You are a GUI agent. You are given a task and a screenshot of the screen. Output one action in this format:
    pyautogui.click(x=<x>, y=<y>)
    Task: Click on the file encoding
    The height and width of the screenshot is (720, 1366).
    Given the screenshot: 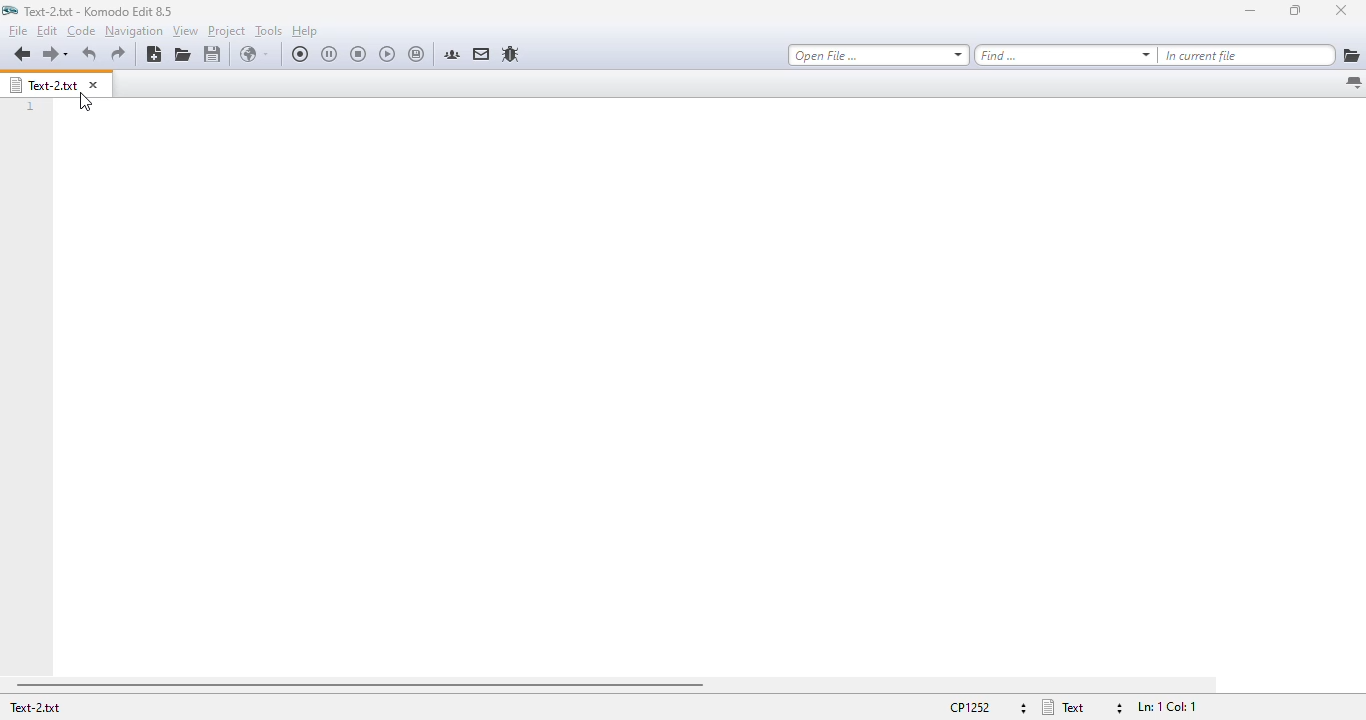 What is the action you would take?
    pyautogui.click(x=988, y=707)
    